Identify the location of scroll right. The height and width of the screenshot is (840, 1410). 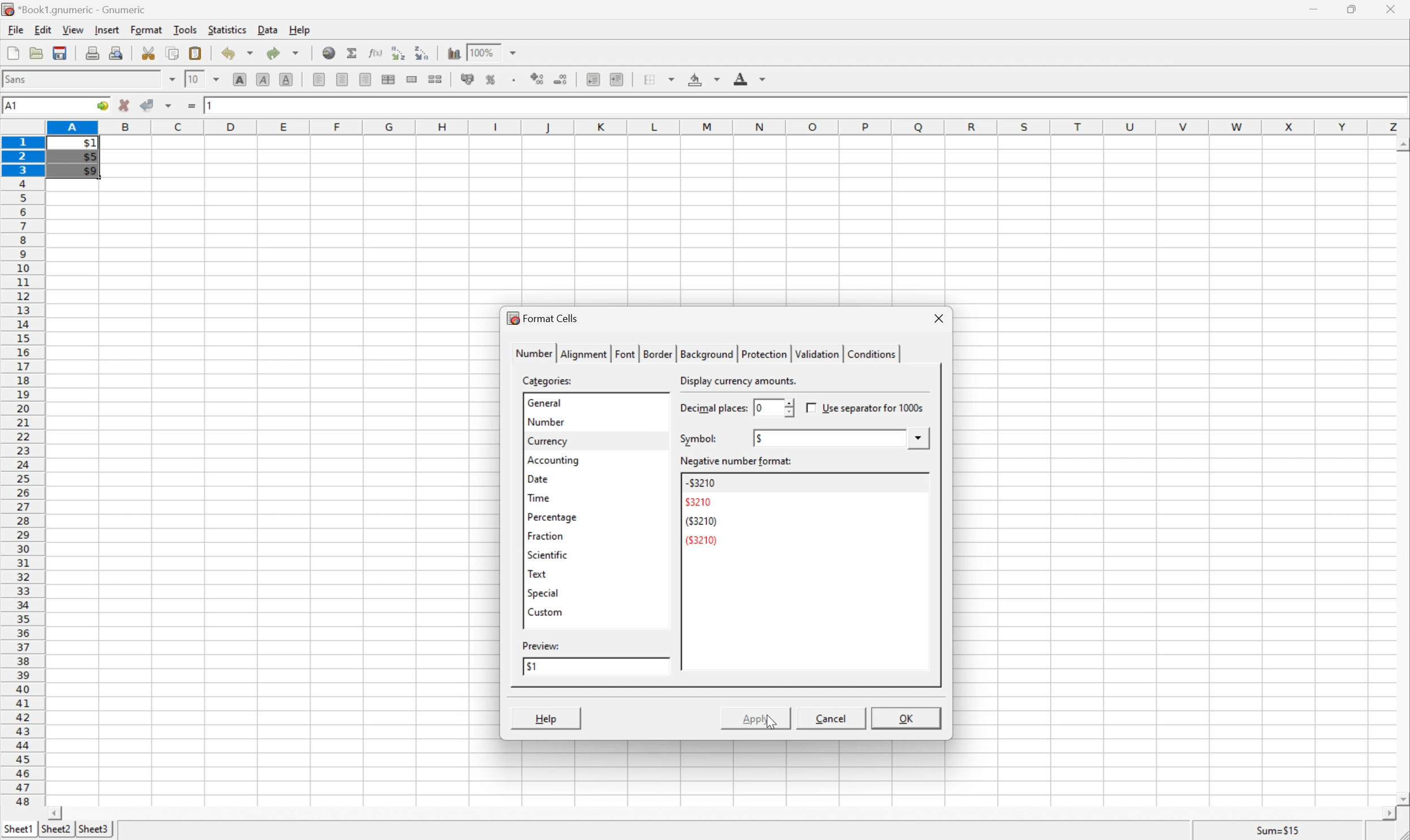
(1388, 814).